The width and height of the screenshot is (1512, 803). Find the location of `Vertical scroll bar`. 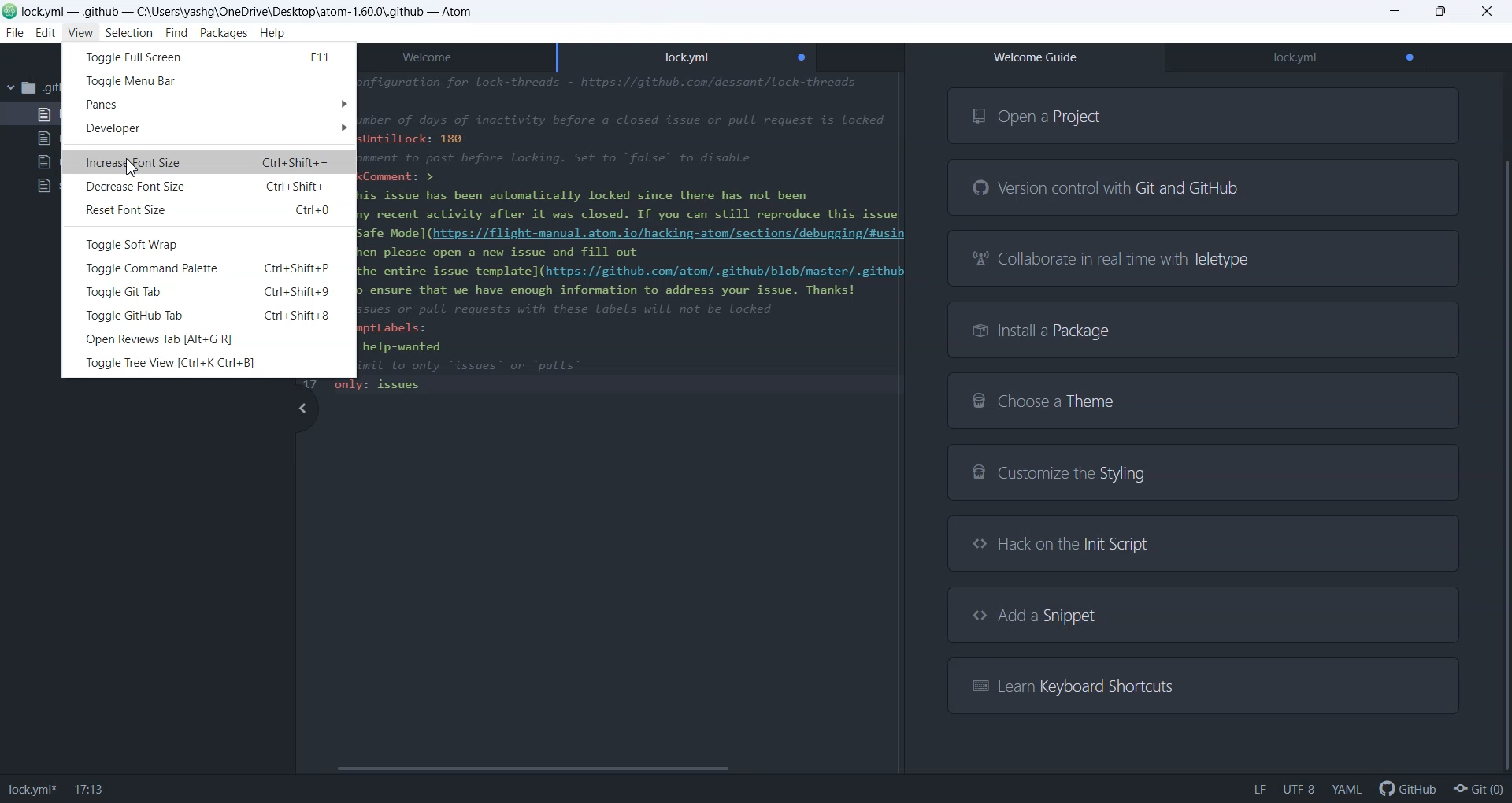

Vertical scroll bar is located at coordinates (1503, 426).